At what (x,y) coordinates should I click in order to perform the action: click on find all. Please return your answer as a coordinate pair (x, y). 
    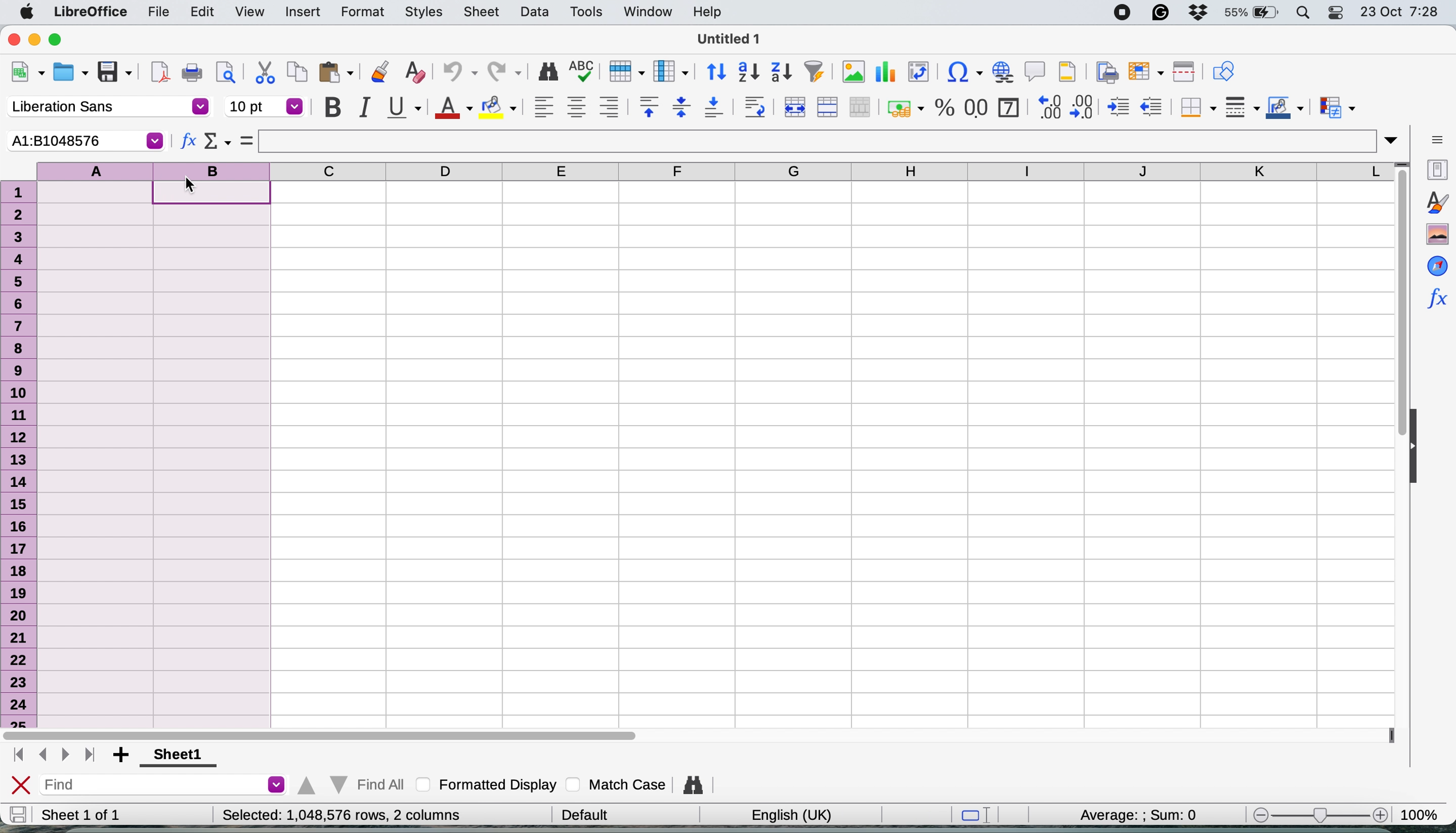
    Looking at the image, I should click on (353, 786).